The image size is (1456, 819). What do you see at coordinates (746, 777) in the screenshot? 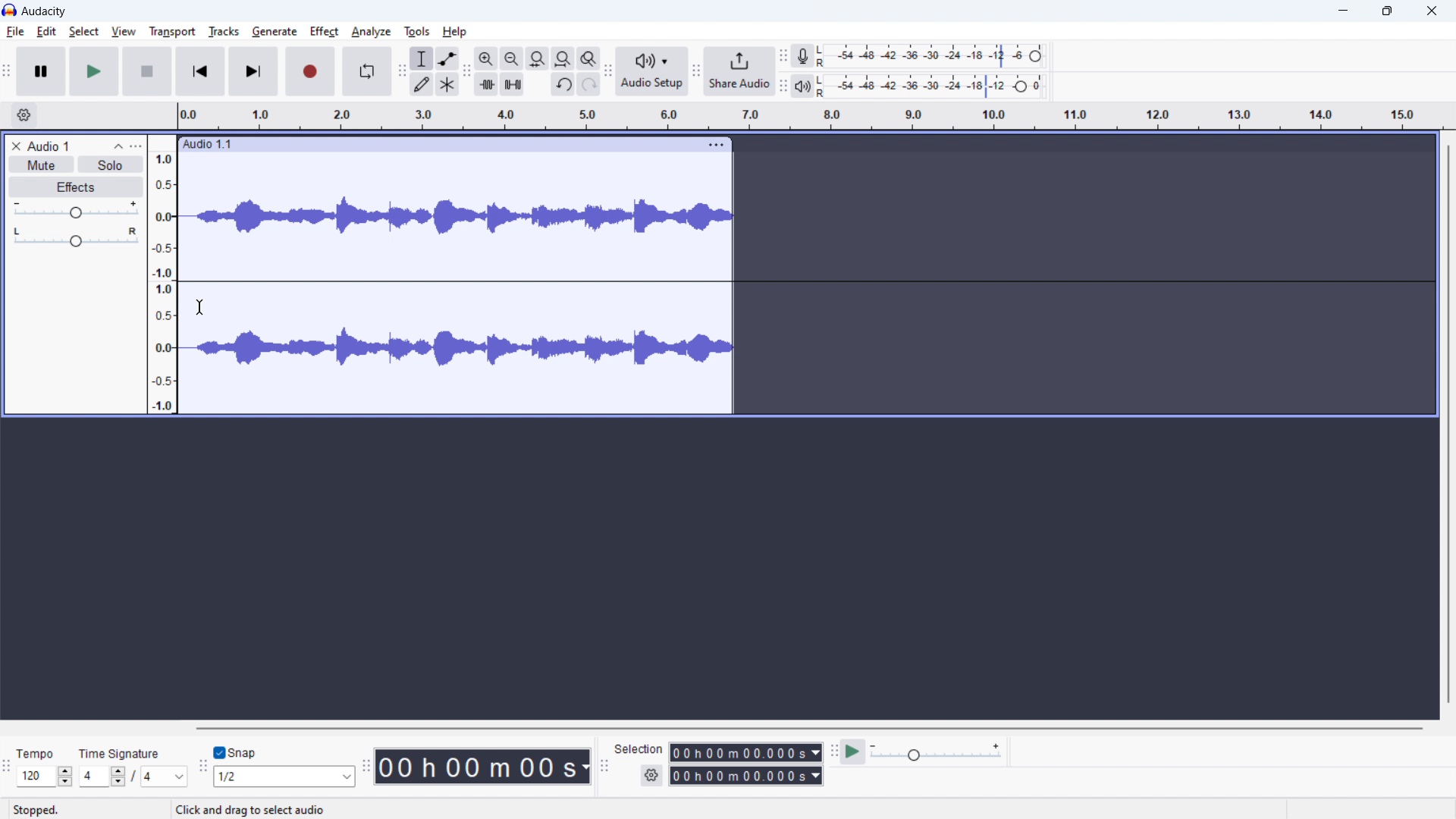
I see `end time` at bounding box center [746, 777].